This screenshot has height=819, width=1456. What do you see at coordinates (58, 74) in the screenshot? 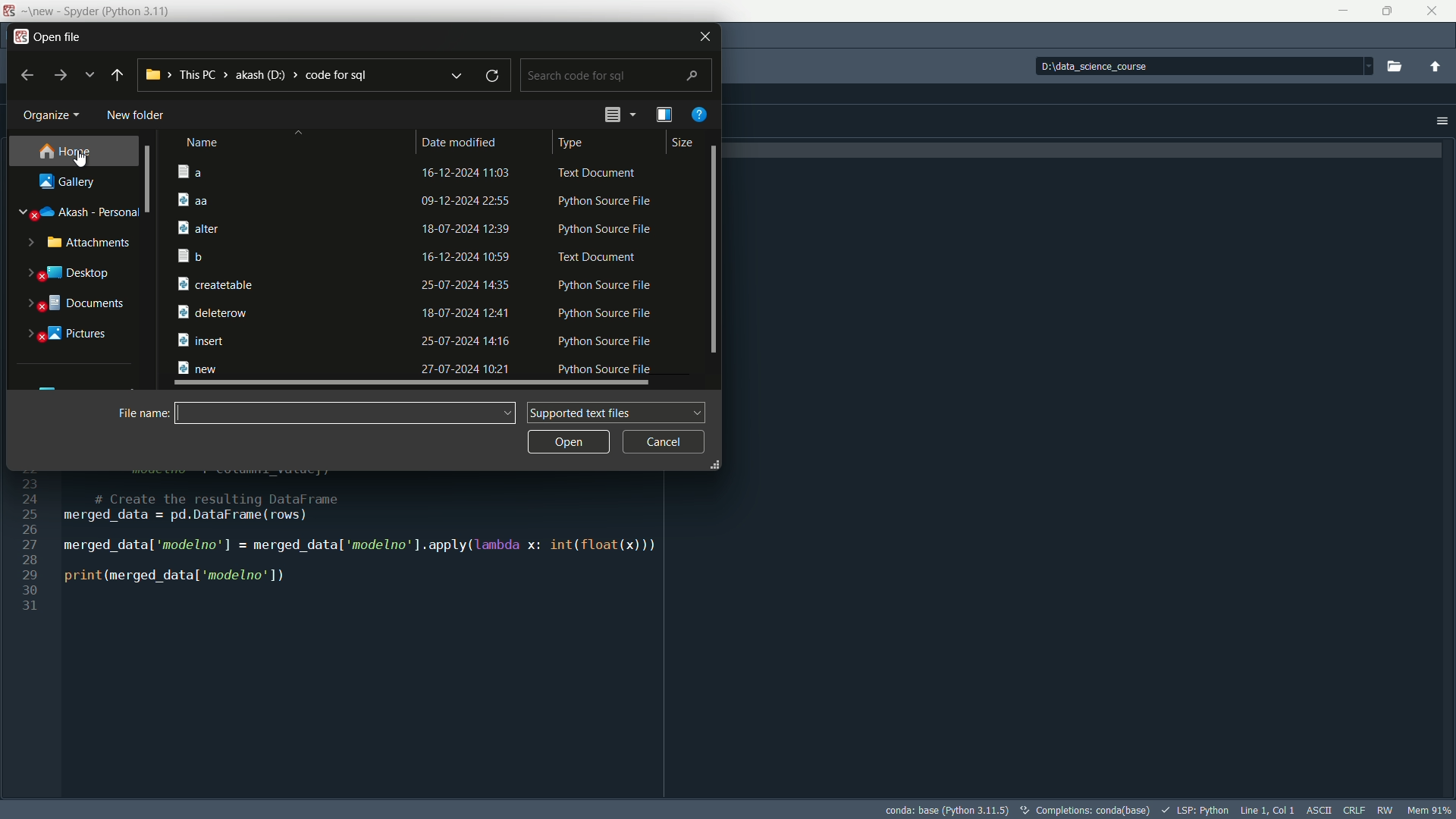
I see `forward` at bounding box center [58, 74].